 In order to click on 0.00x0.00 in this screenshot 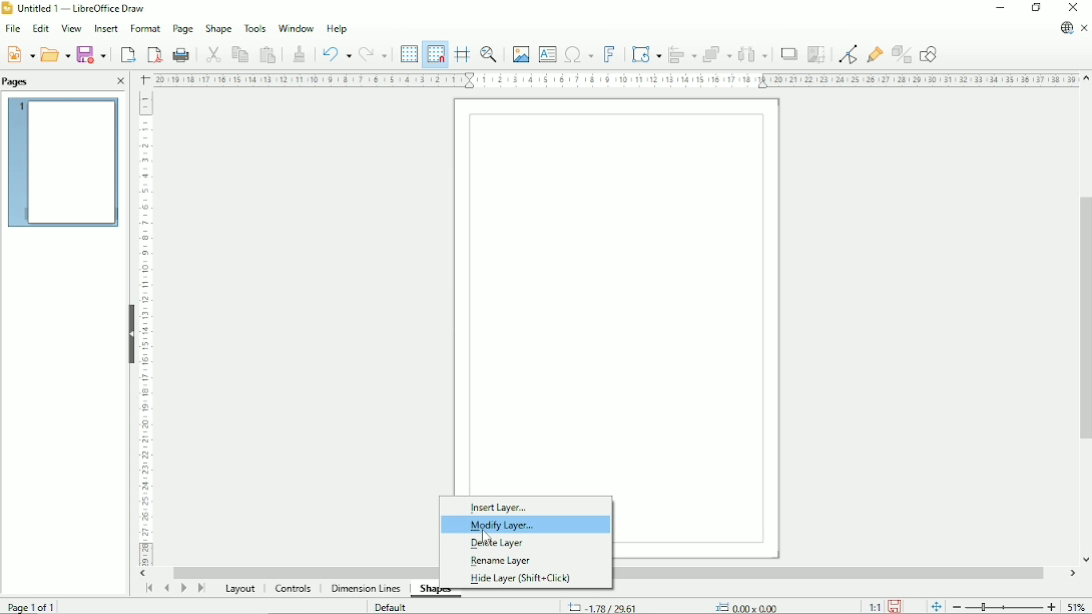, I will do `click(745, 606)`.